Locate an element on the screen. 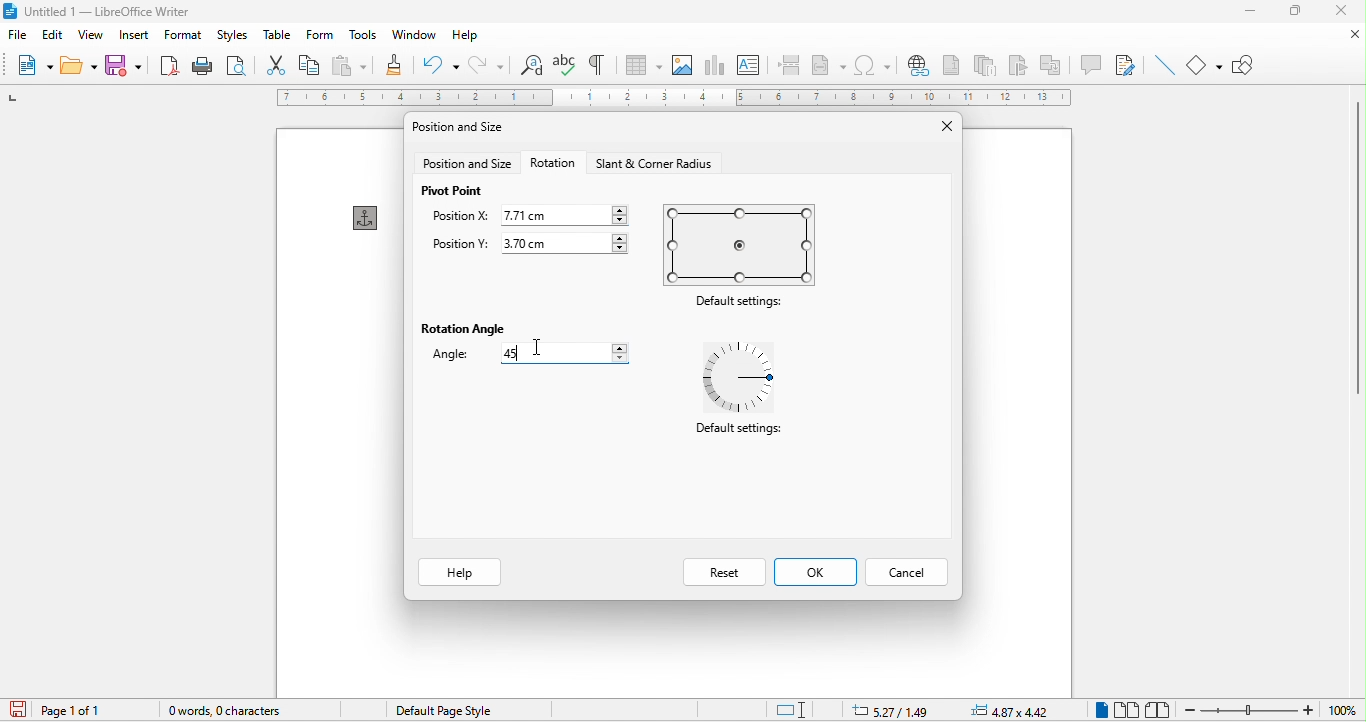 The height and width of the screenshot is (722, 1366). reset is located at coordinates (724, 572).